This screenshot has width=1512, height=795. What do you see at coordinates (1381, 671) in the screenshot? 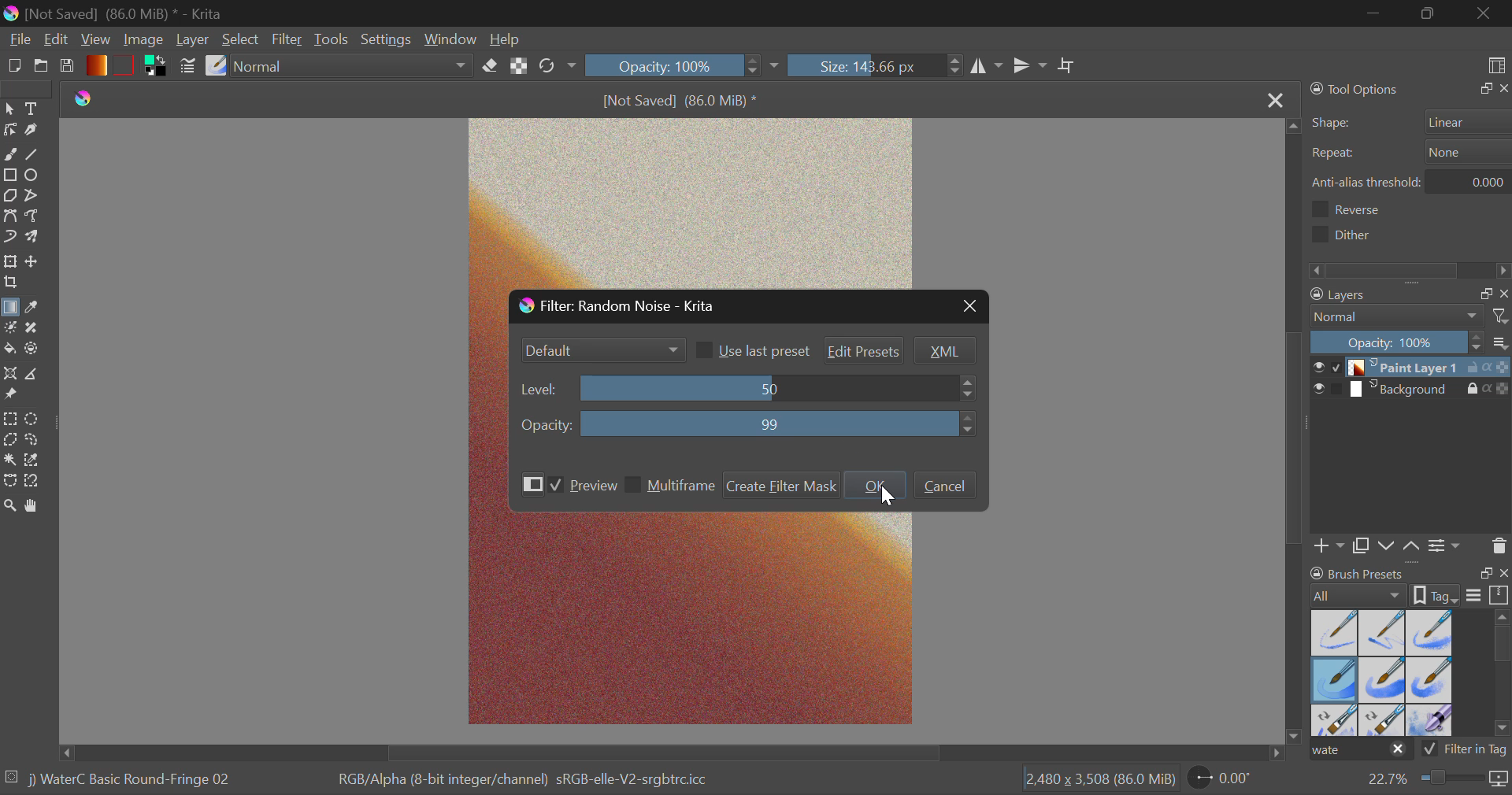
I see `Brush Presets Menu` at bounding box center [1381, 671].